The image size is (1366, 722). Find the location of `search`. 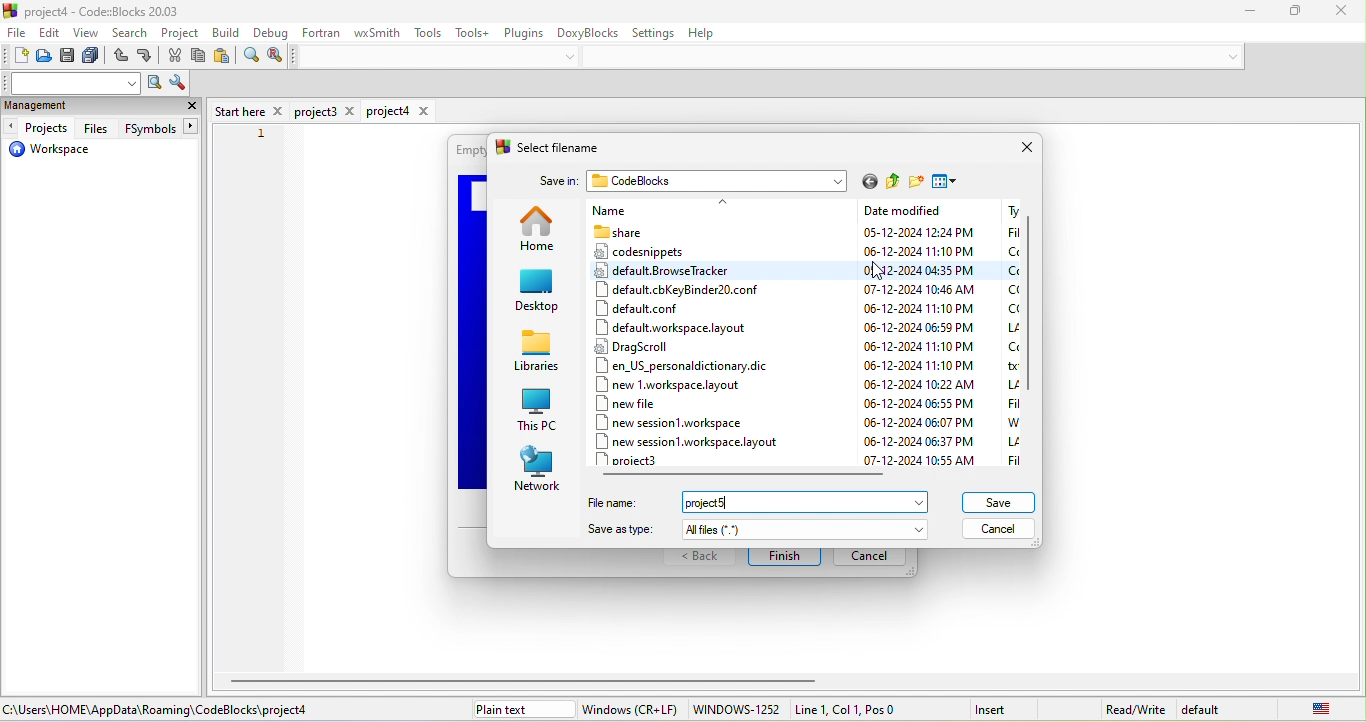

search is located at coordinates (132, 35).